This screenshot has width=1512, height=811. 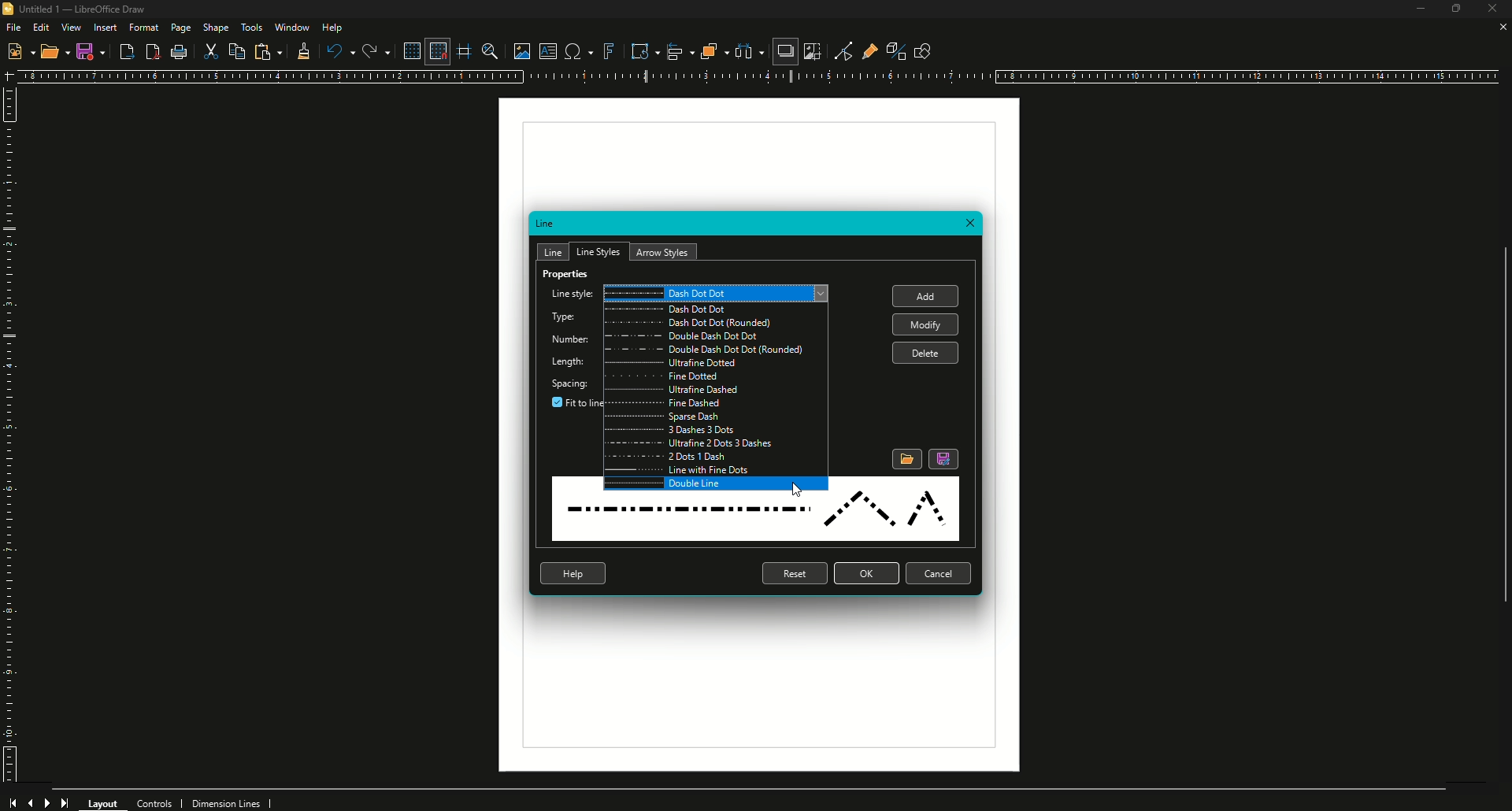 I want to click on Line, so click(x=554, y=250).